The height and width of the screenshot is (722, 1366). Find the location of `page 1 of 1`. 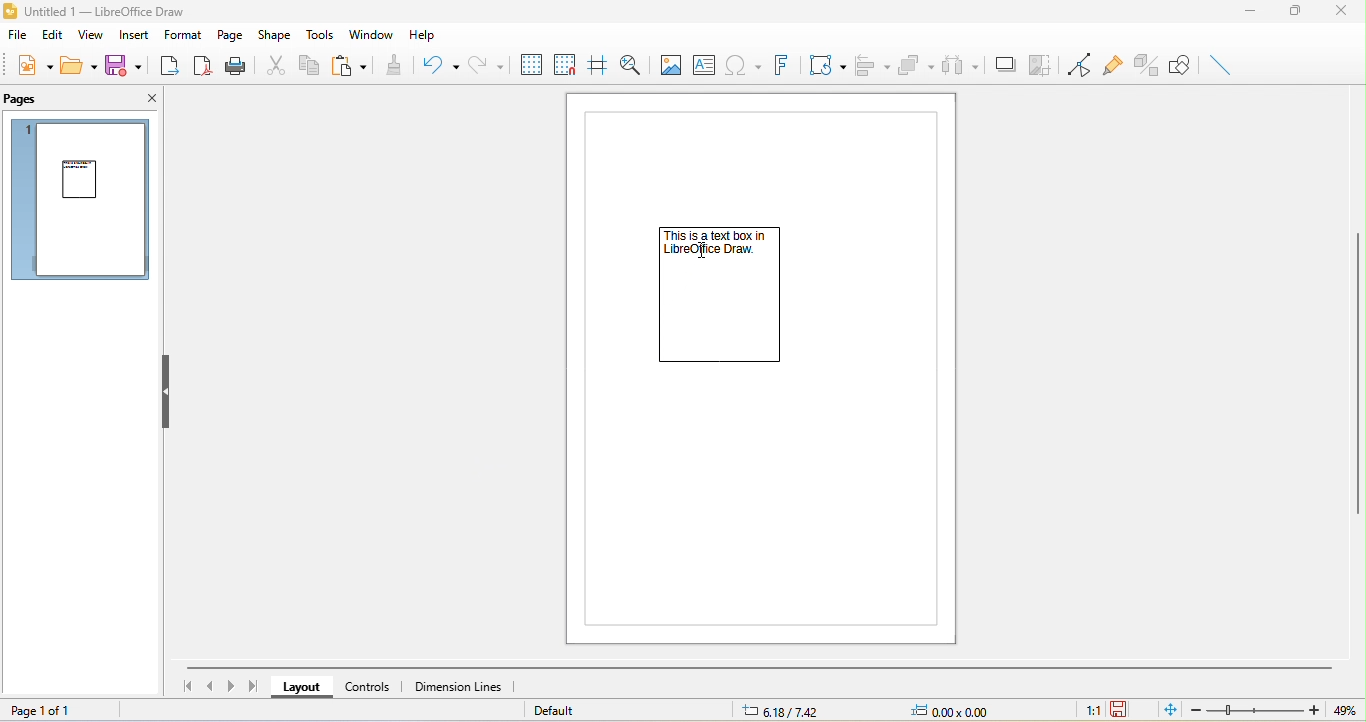

page 1 of 1 is located at coordinates (55, 712).